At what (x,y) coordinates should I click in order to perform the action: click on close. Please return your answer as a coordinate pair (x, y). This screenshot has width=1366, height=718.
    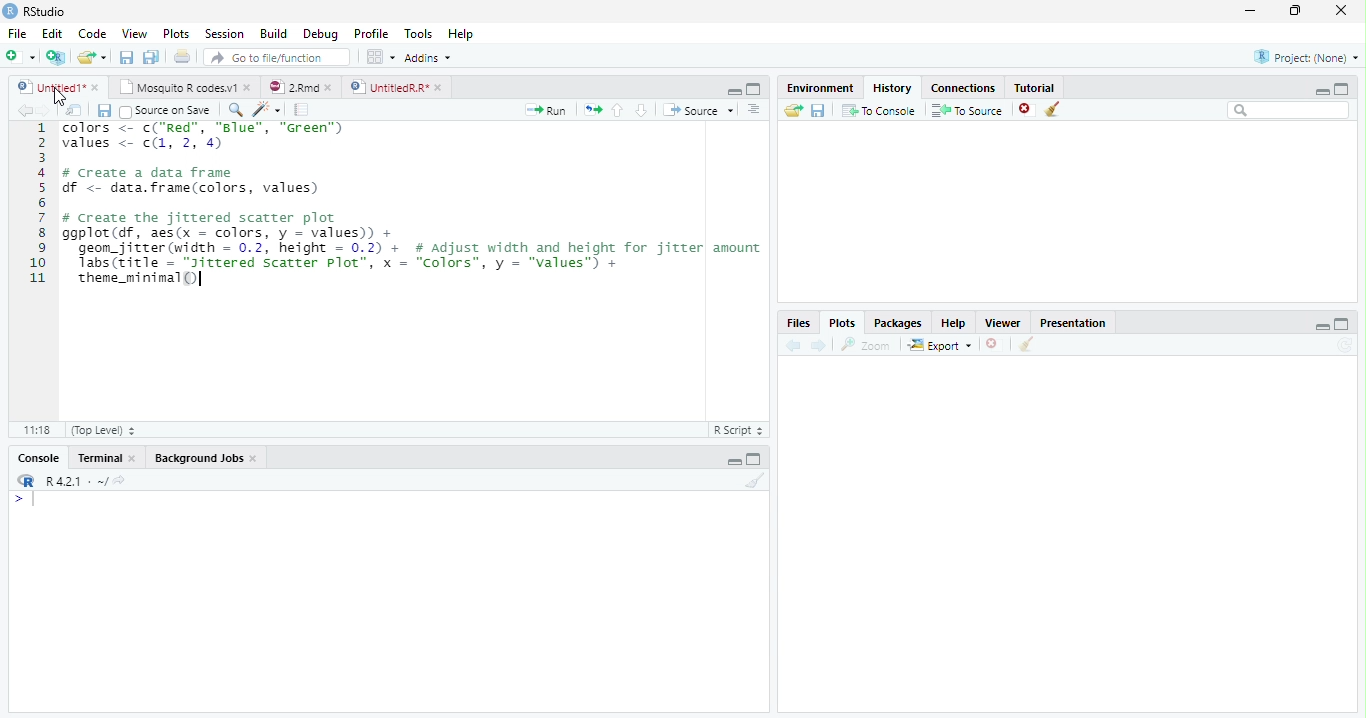
    Looking at the image, I should click on (328, 88).